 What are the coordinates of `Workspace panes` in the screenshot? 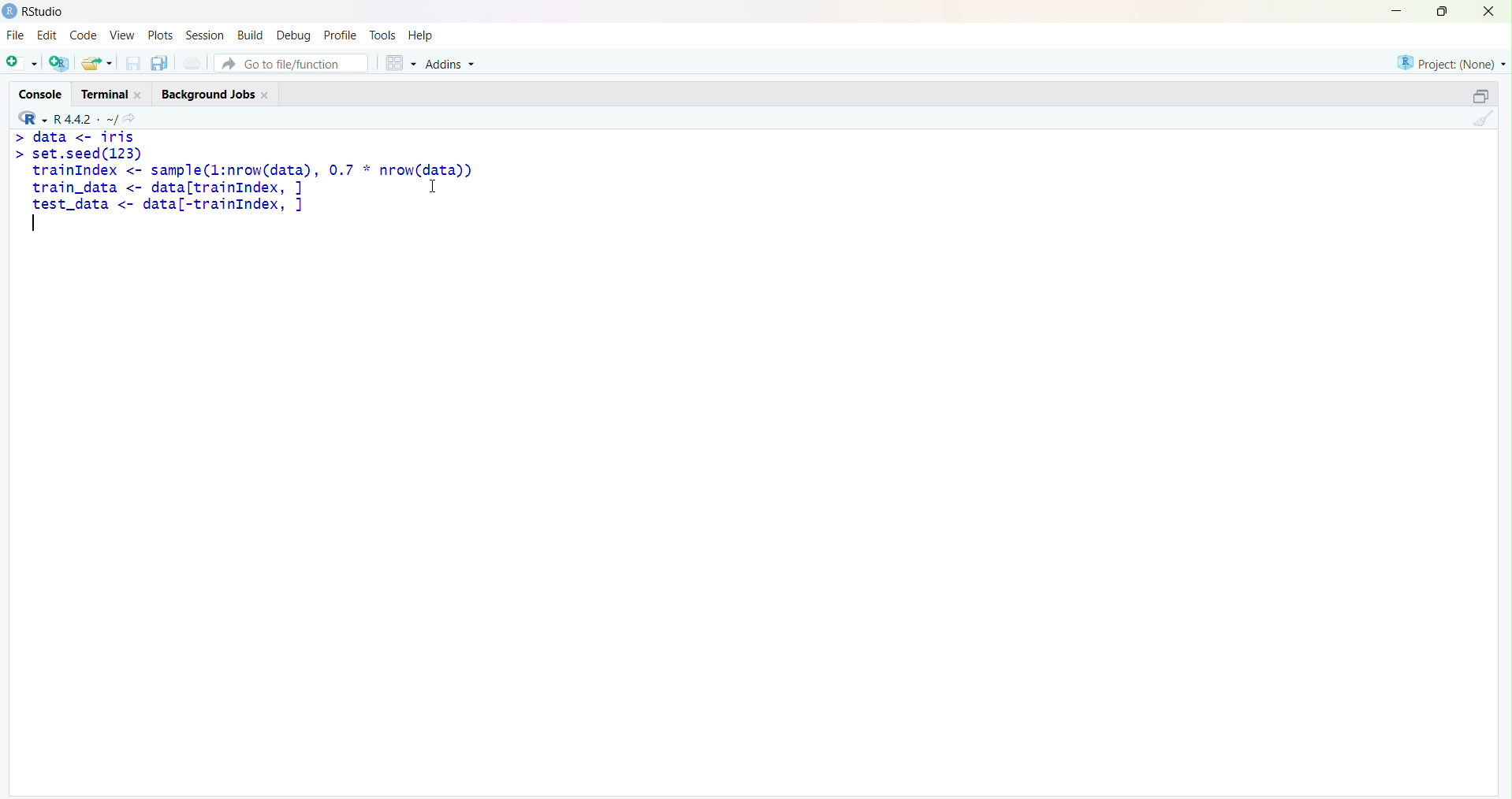 It's located at (397, 61).